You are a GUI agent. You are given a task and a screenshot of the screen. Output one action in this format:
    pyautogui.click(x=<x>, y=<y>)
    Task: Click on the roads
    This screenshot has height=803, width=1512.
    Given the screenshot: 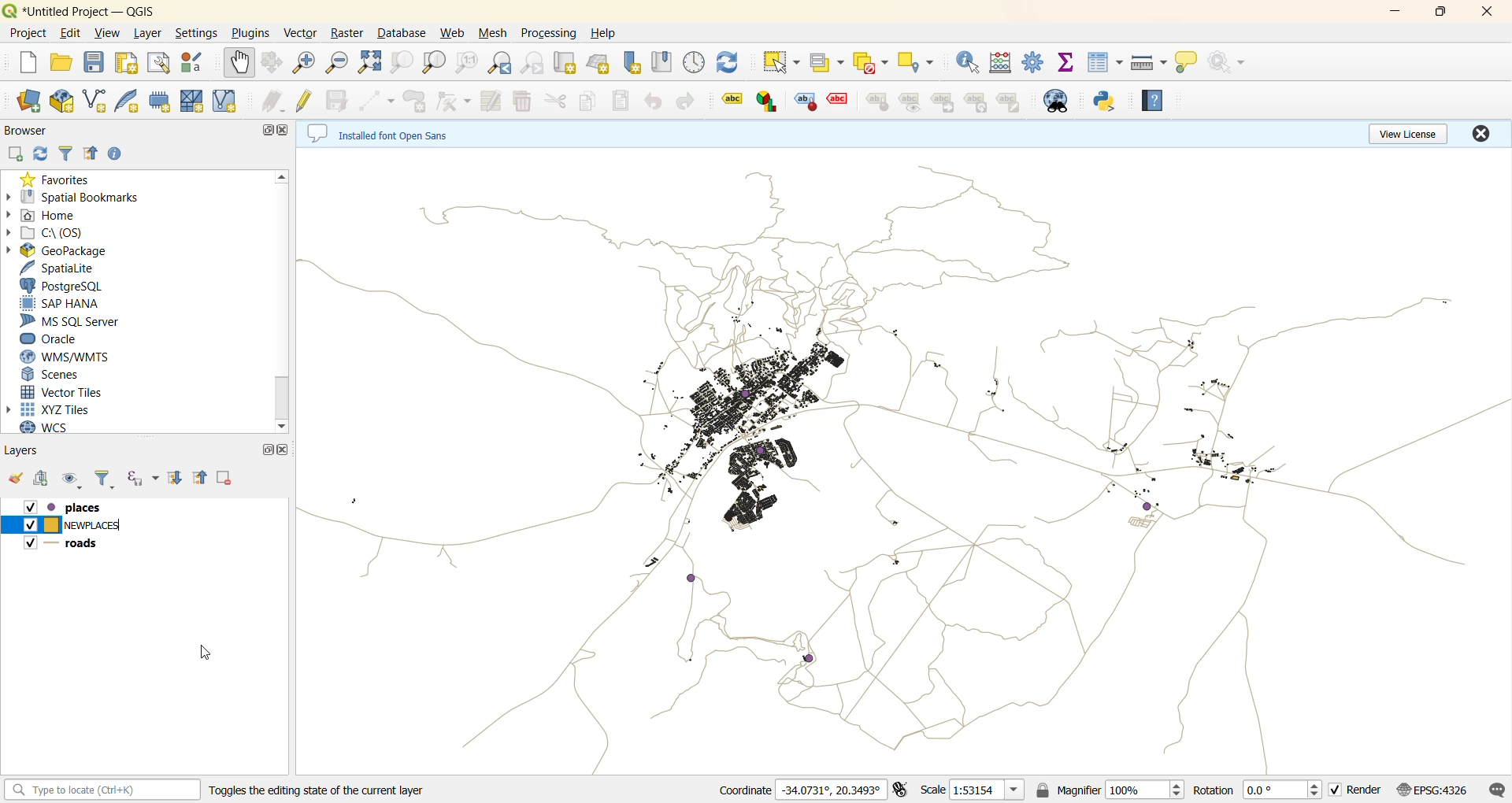 What is the action you would take?
    pyautogui.click(x=69, y=545)
    